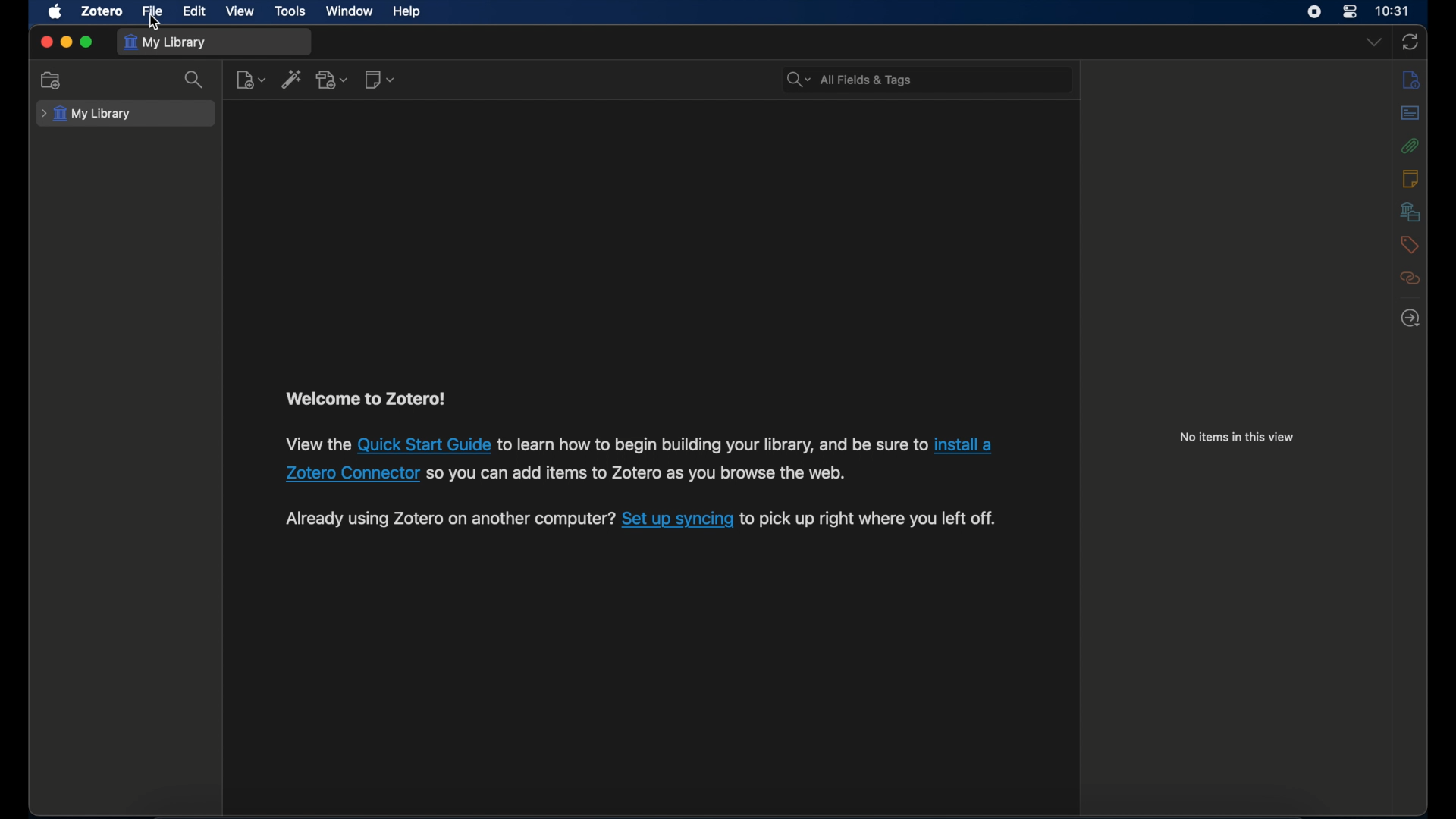  What do you see at coordinates (379, 78) in the screenshot?
I see `new notes` at bounding box center [379, 78].